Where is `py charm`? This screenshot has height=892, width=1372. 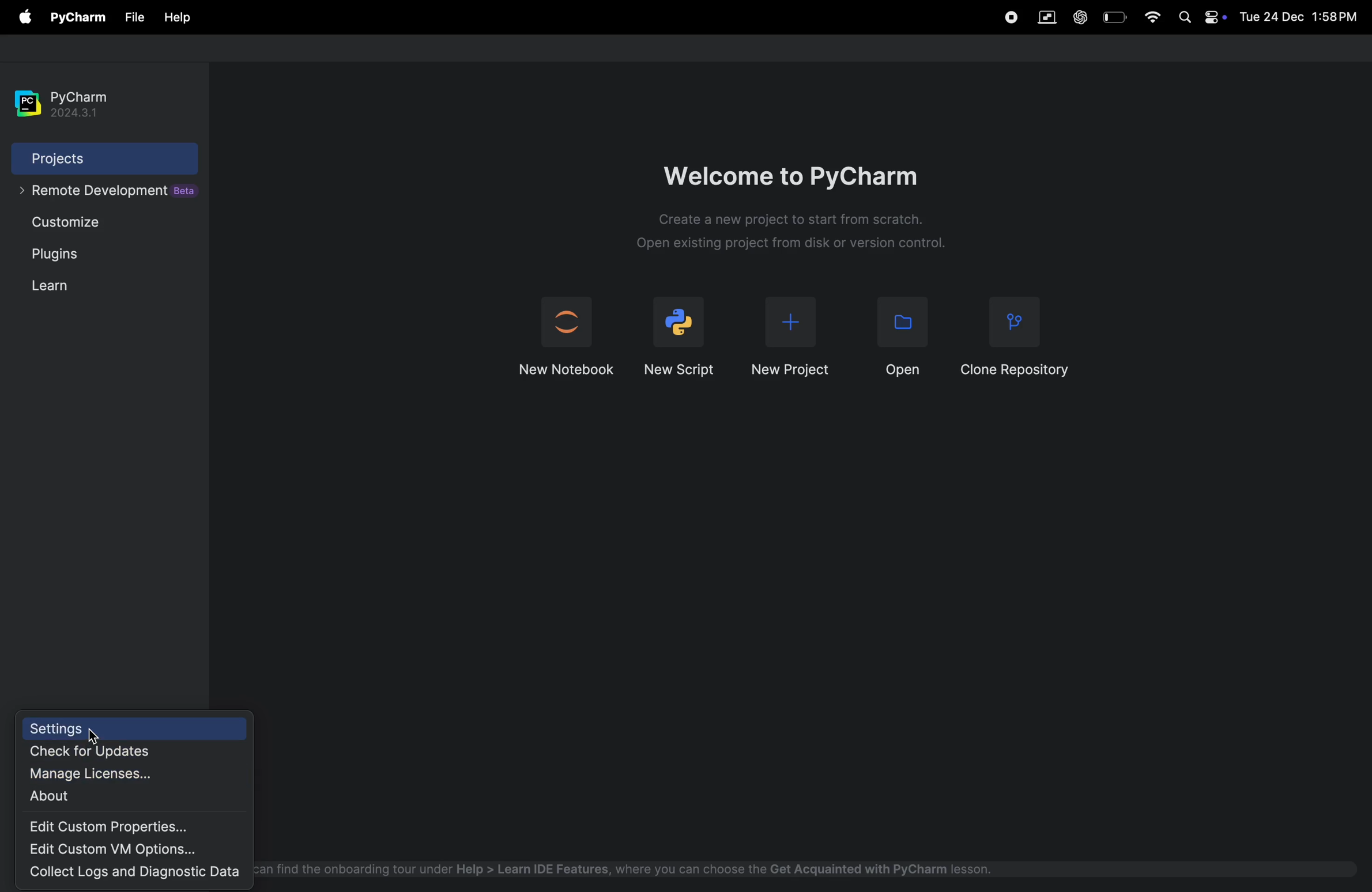
py charm is located at coordinates (78, 16).